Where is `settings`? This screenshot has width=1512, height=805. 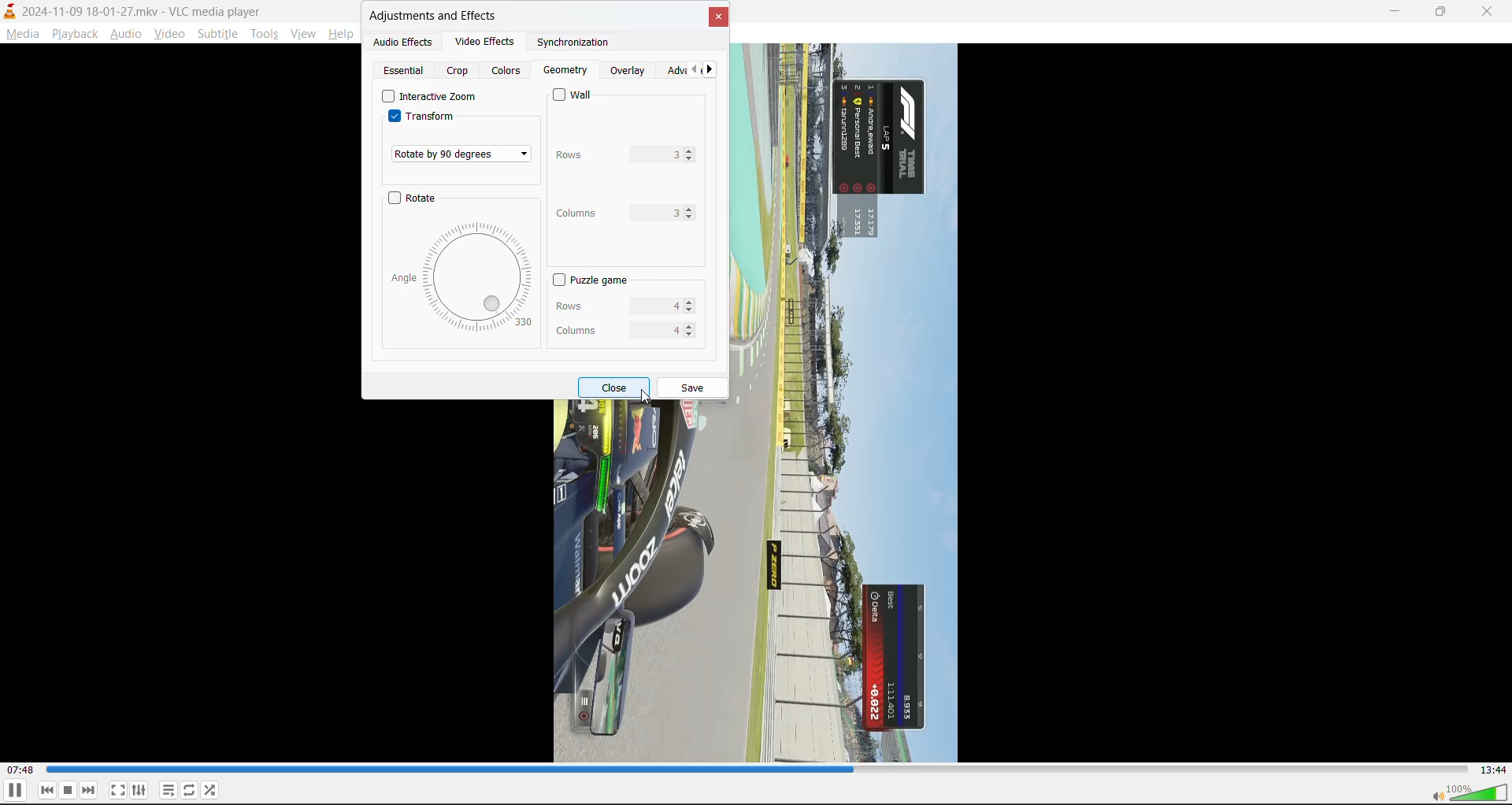 settings is located at coordinates (139, 788).